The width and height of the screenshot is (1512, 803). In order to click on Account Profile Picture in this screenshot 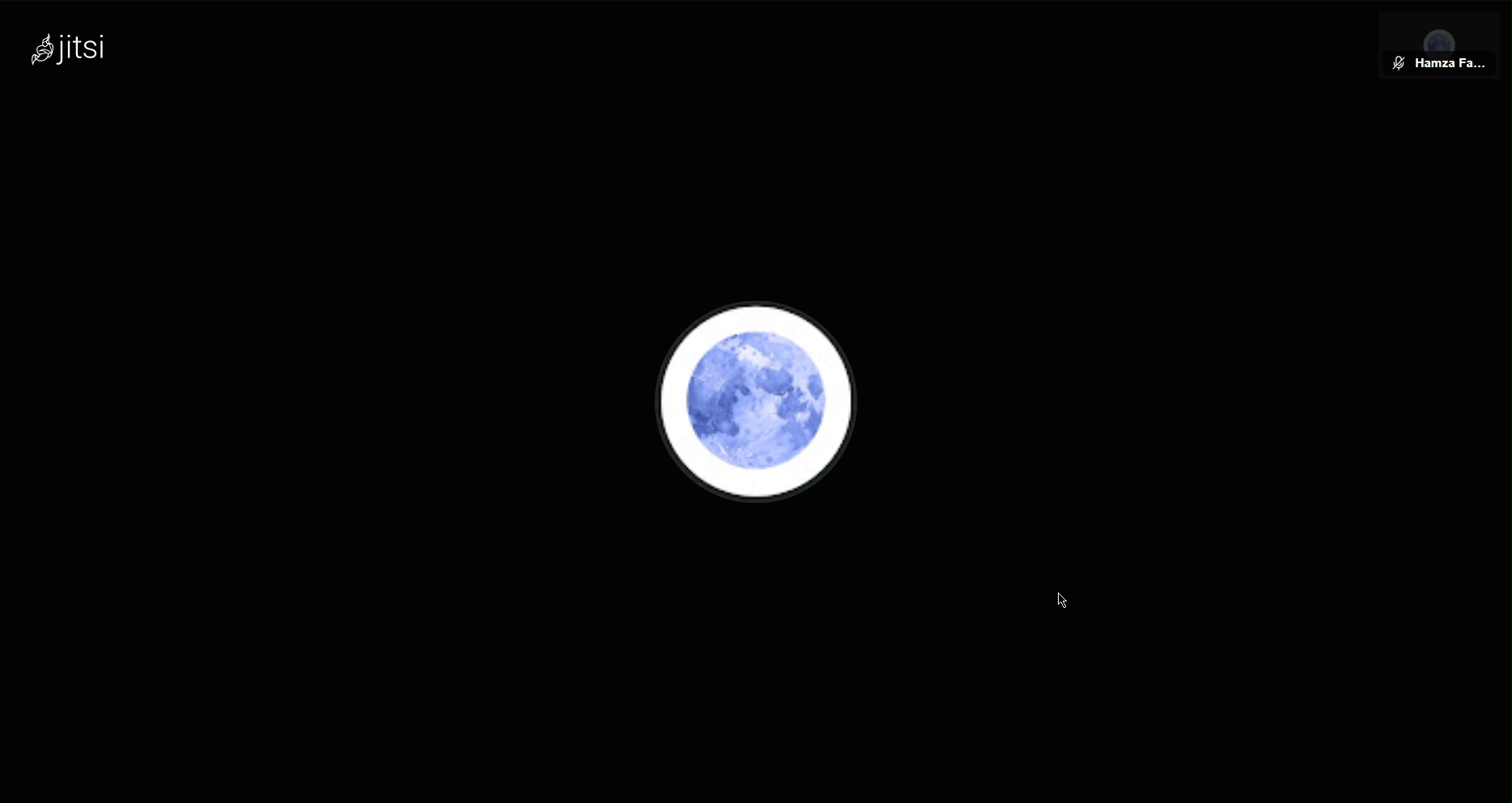, I will do `click(741, 399)`.